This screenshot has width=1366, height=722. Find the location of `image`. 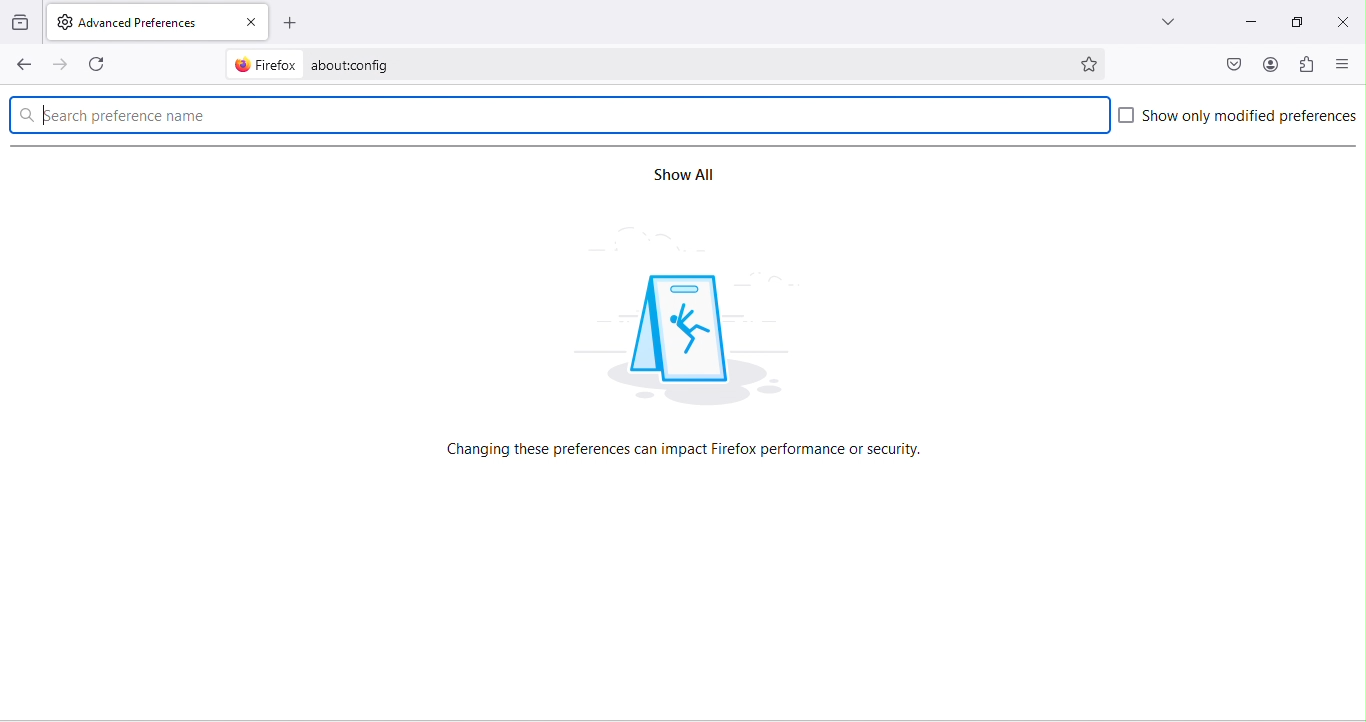

image is located at coordinates (689, 337).